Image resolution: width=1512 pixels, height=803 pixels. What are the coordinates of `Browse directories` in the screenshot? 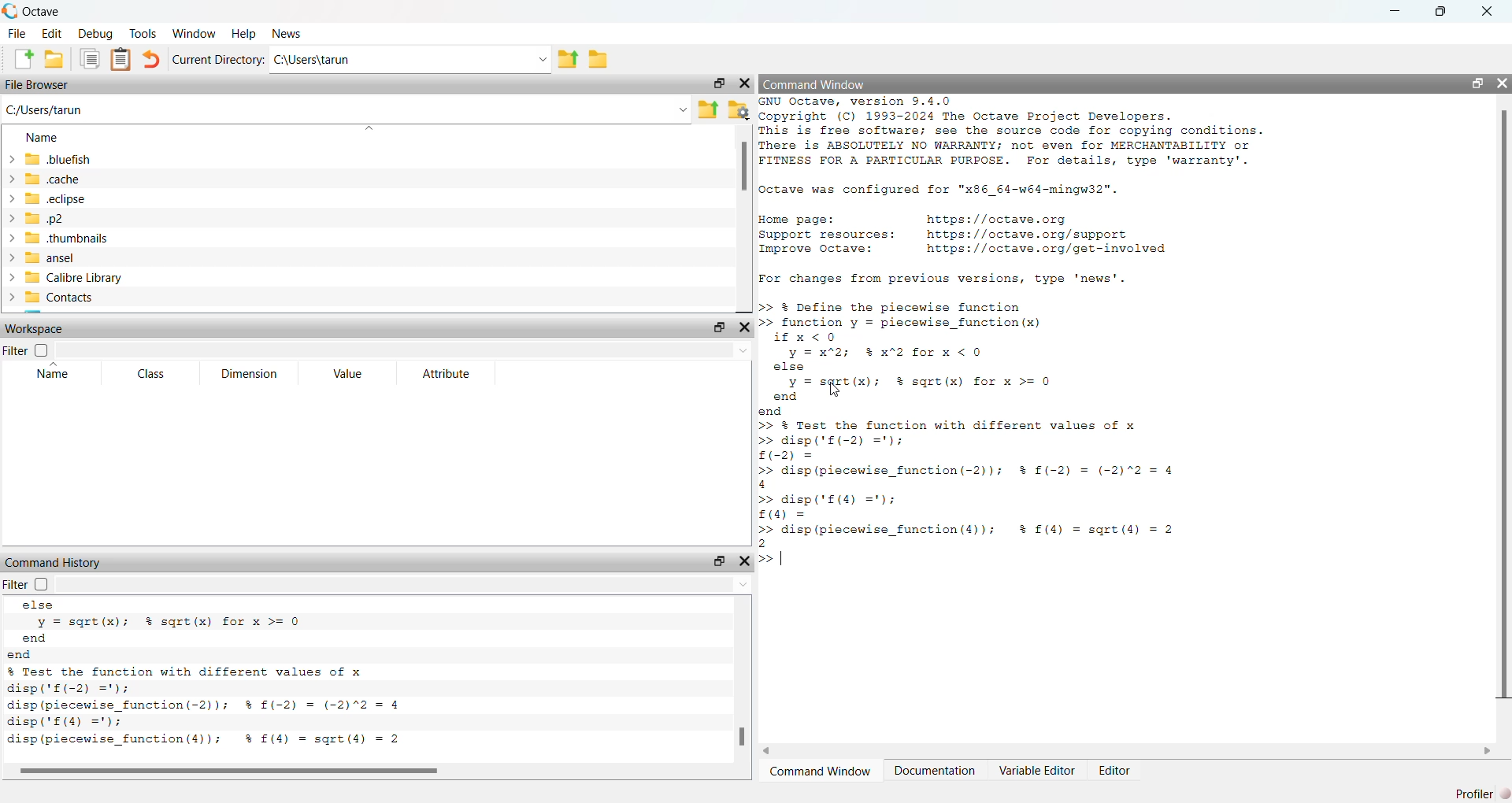 It's located at (598, 59).